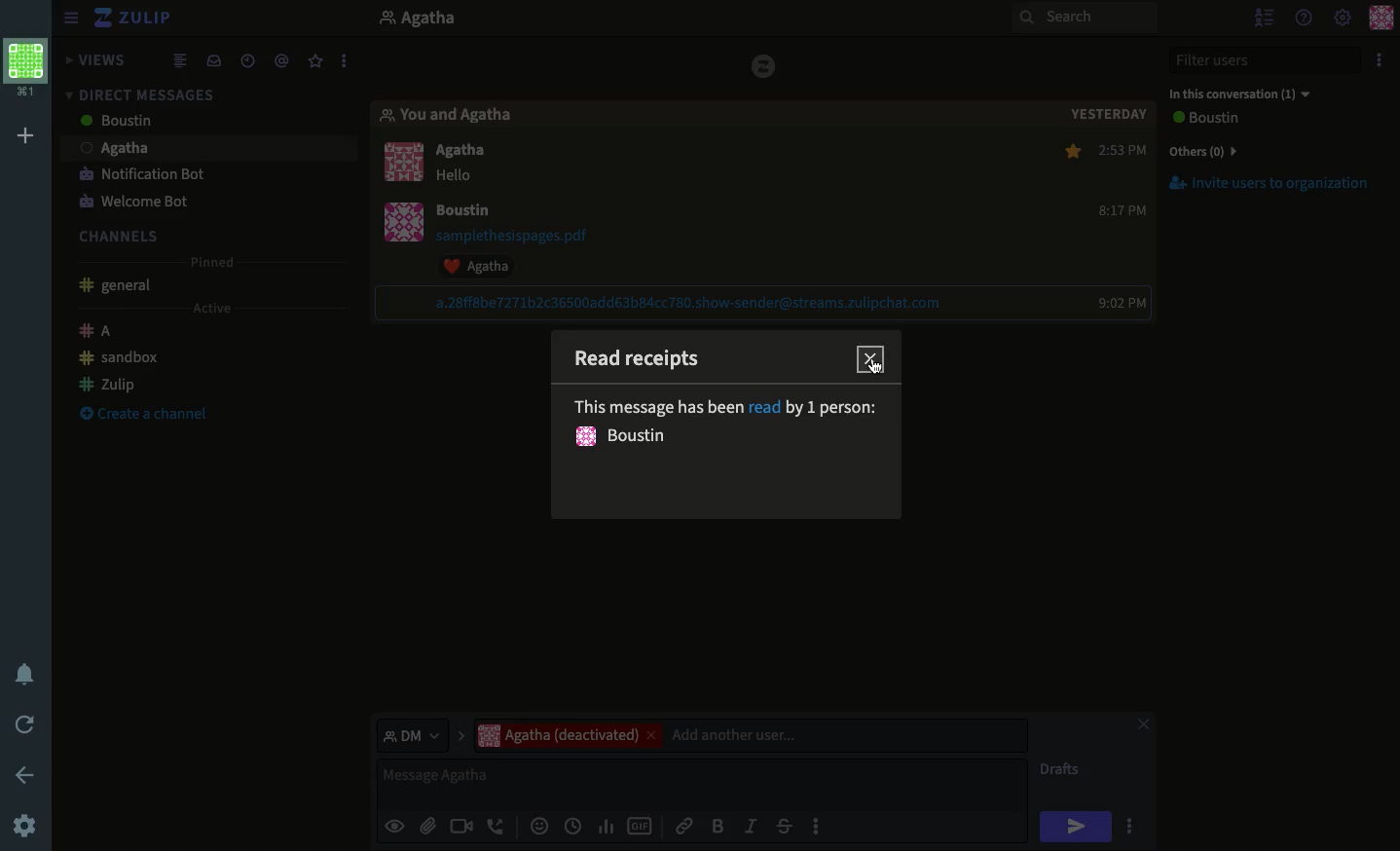  Describe the element at coordinates (139, 416) in the screenshot. I see `Create a channel` at that location.